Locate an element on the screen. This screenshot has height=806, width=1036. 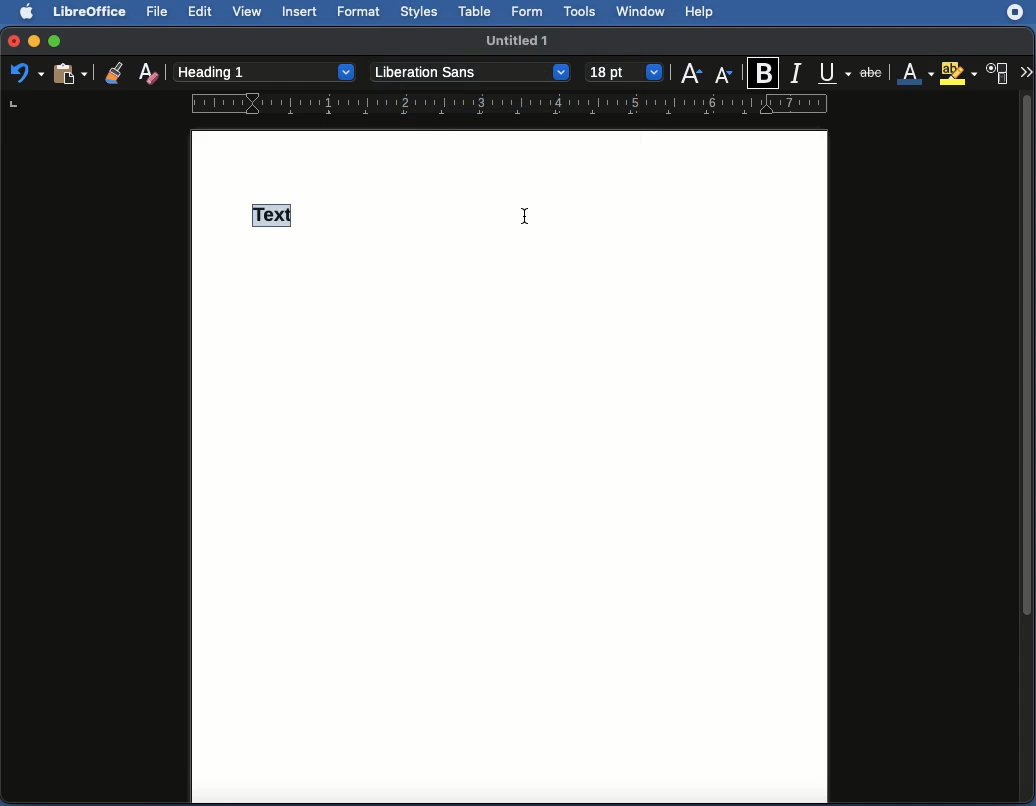
Format is located at coordinates (361, 13).